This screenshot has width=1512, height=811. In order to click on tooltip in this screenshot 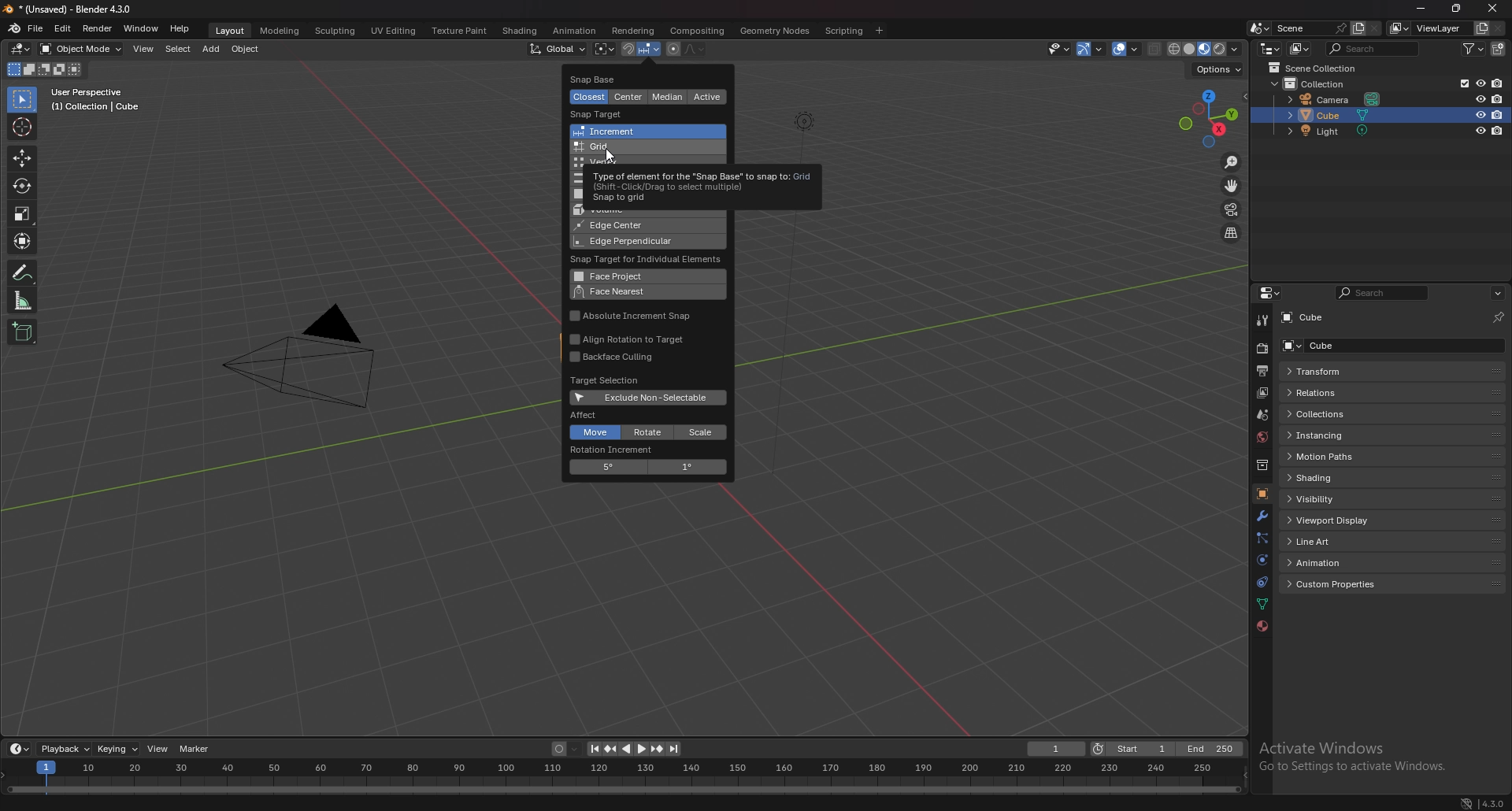, I will do `click(699, 183)`.